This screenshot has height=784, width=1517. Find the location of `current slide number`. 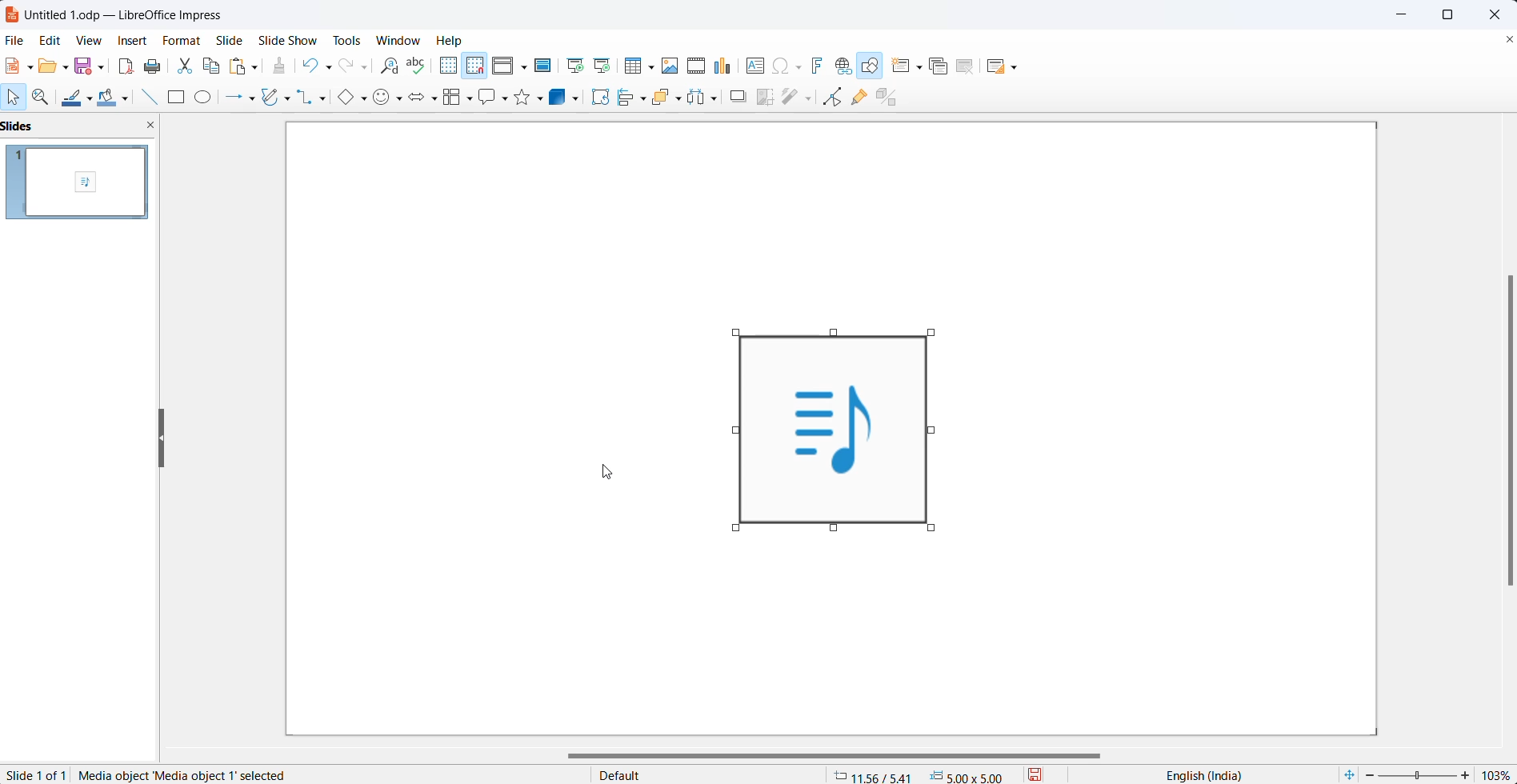

current slide number is located at coordinates (34, 776).